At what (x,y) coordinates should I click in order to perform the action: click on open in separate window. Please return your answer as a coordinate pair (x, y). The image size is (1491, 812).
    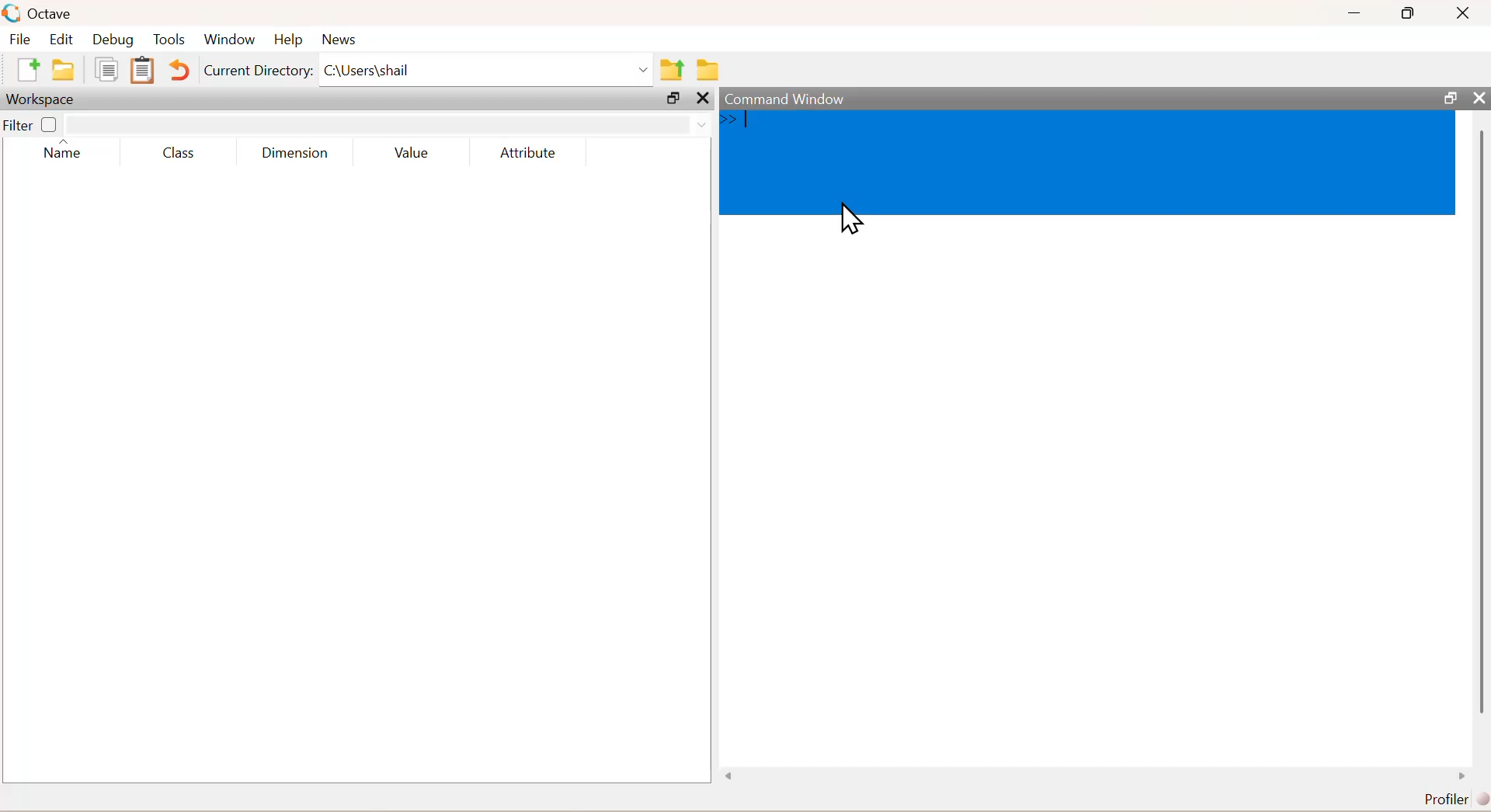
    Looking at the image, I should click on (673, 98).